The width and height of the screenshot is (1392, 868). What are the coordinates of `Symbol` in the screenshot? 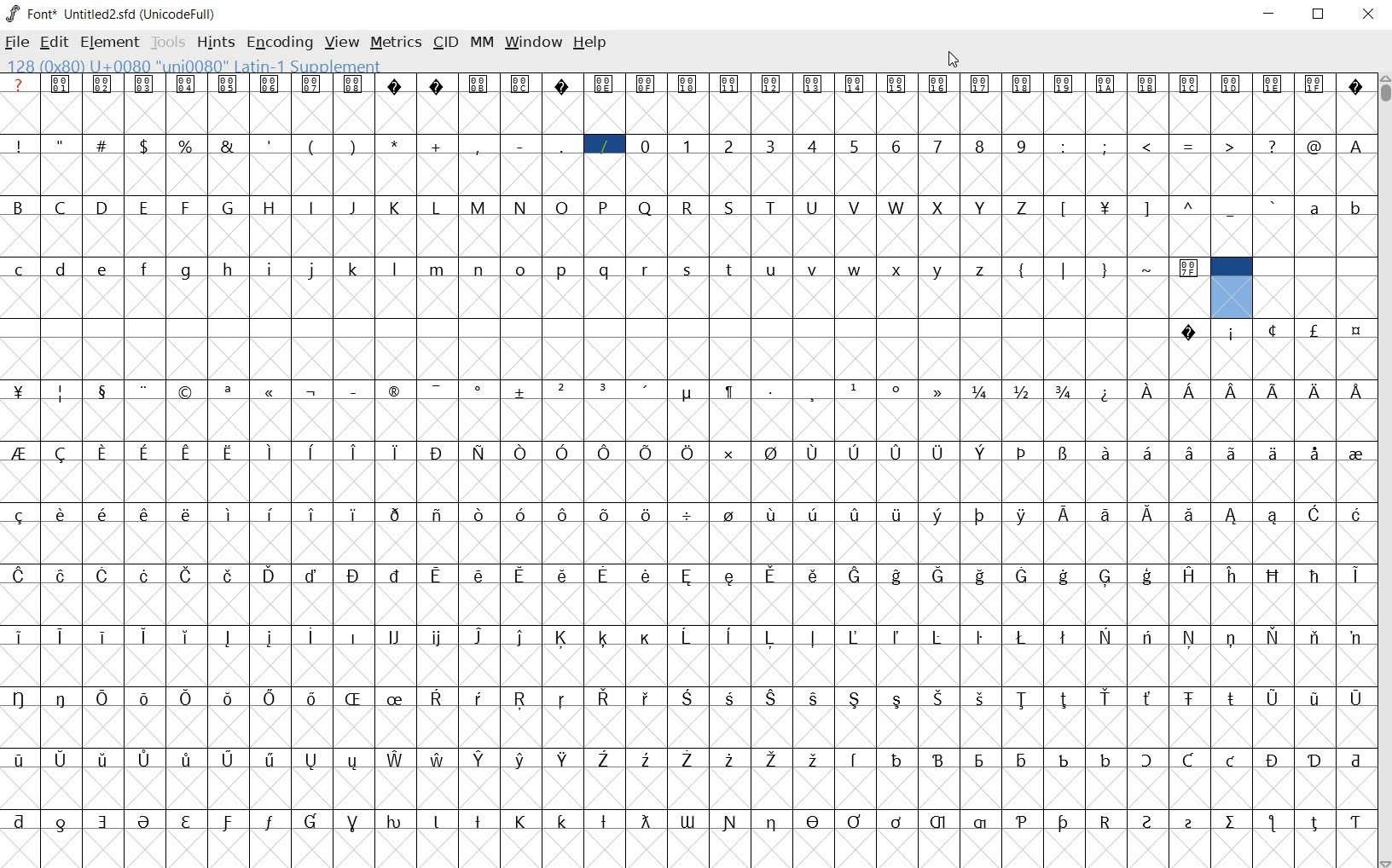 It's located at (1232, 85).